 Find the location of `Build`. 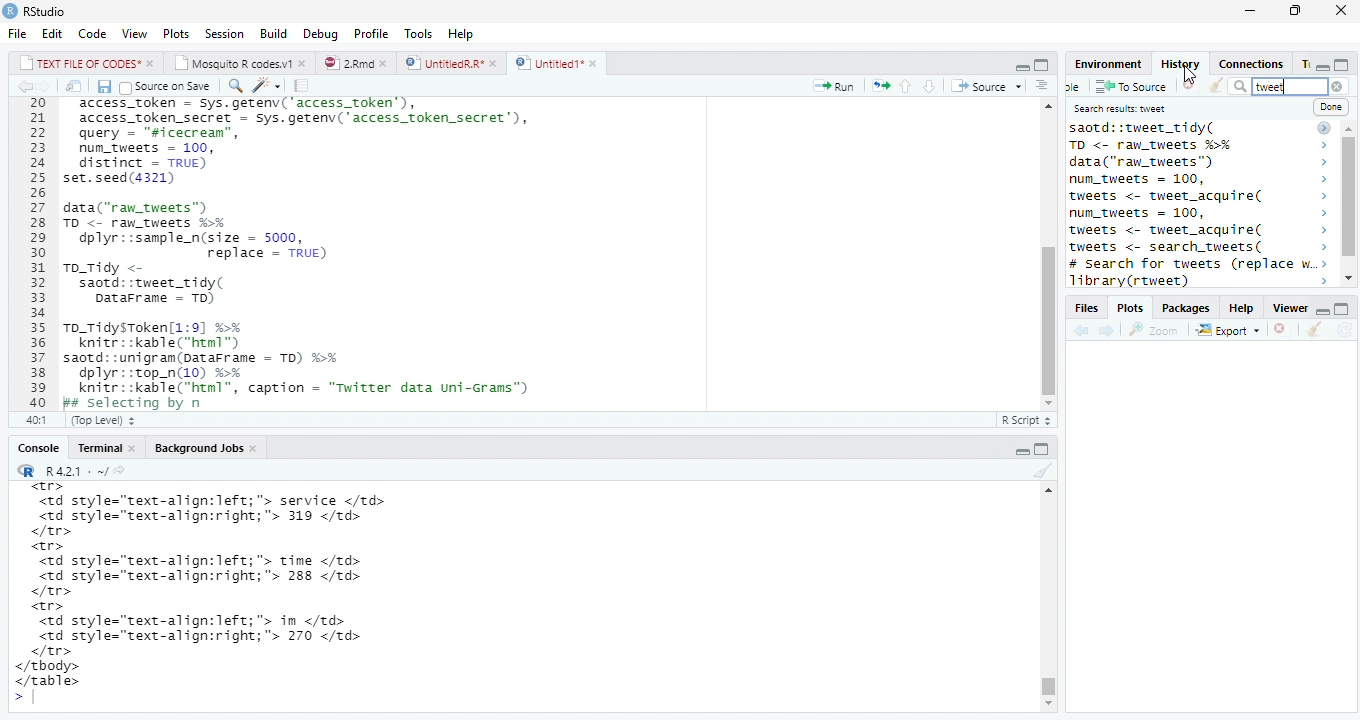

Build is located at coordinates (272, 32).